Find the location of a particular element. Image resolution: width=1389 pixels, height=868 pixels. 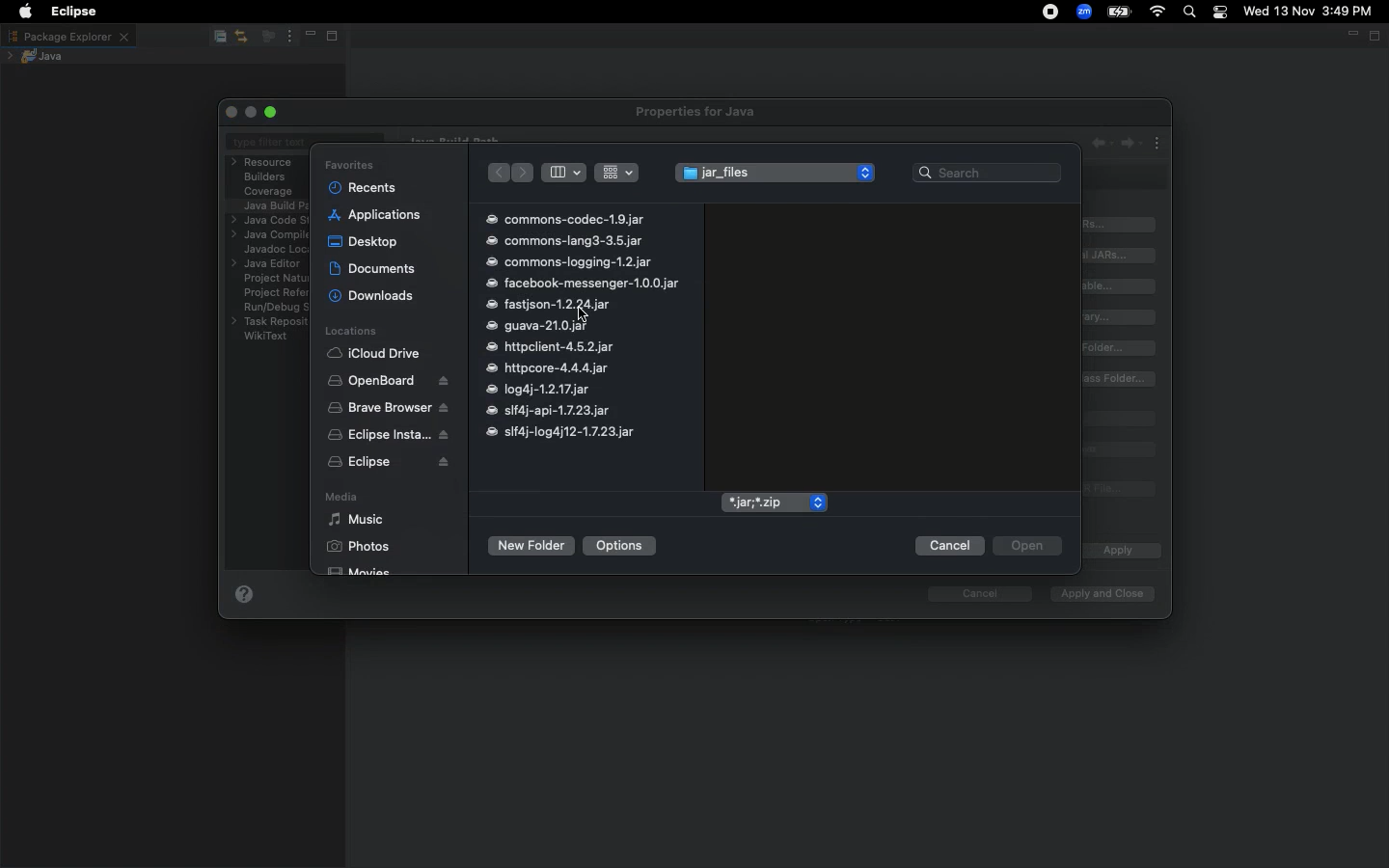

Notification is located at coordinates (1222, 13).